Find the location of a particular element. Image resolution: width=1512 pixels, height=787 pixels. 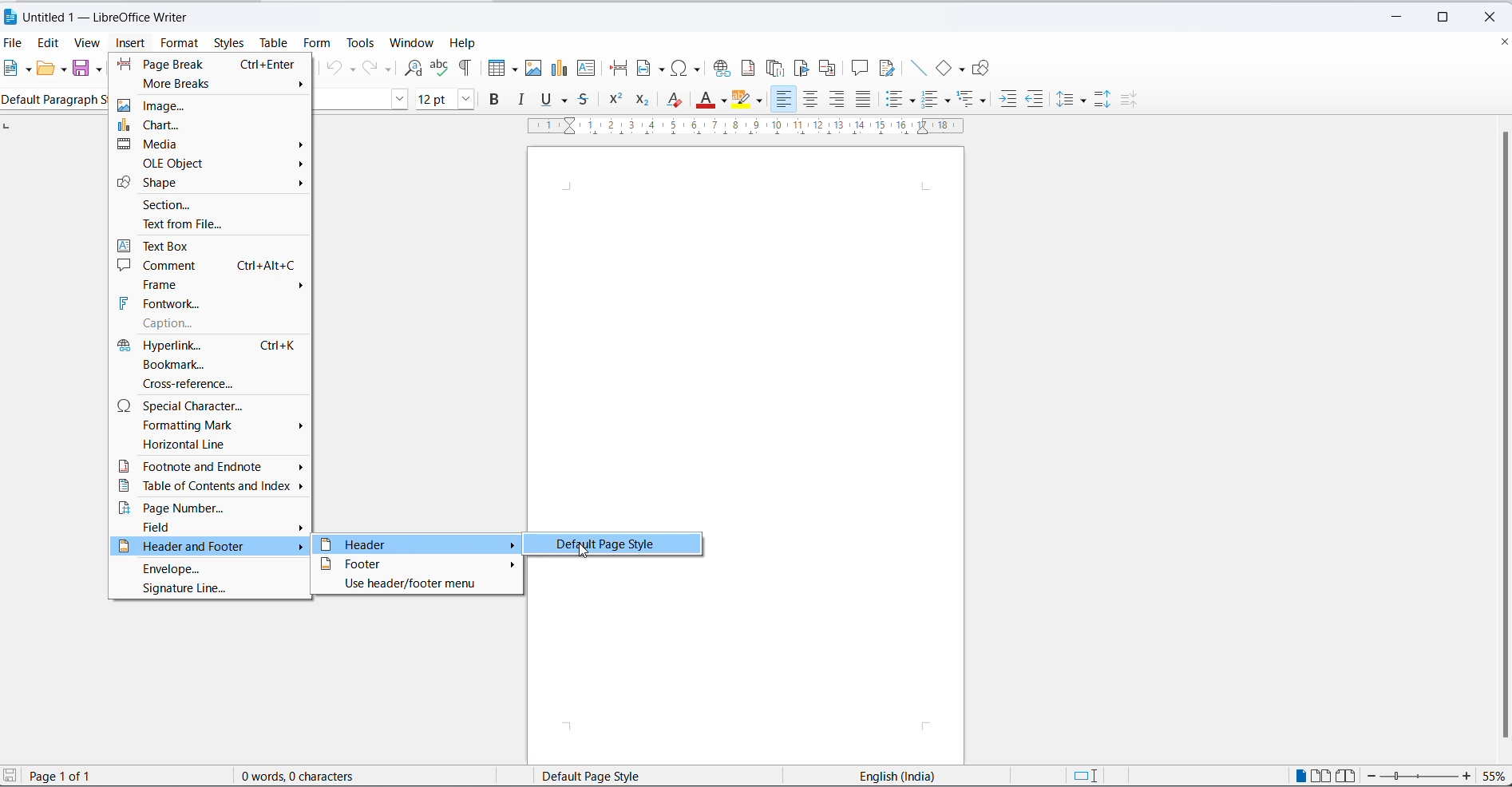

cross-reference is located at coordinates (209, 384).